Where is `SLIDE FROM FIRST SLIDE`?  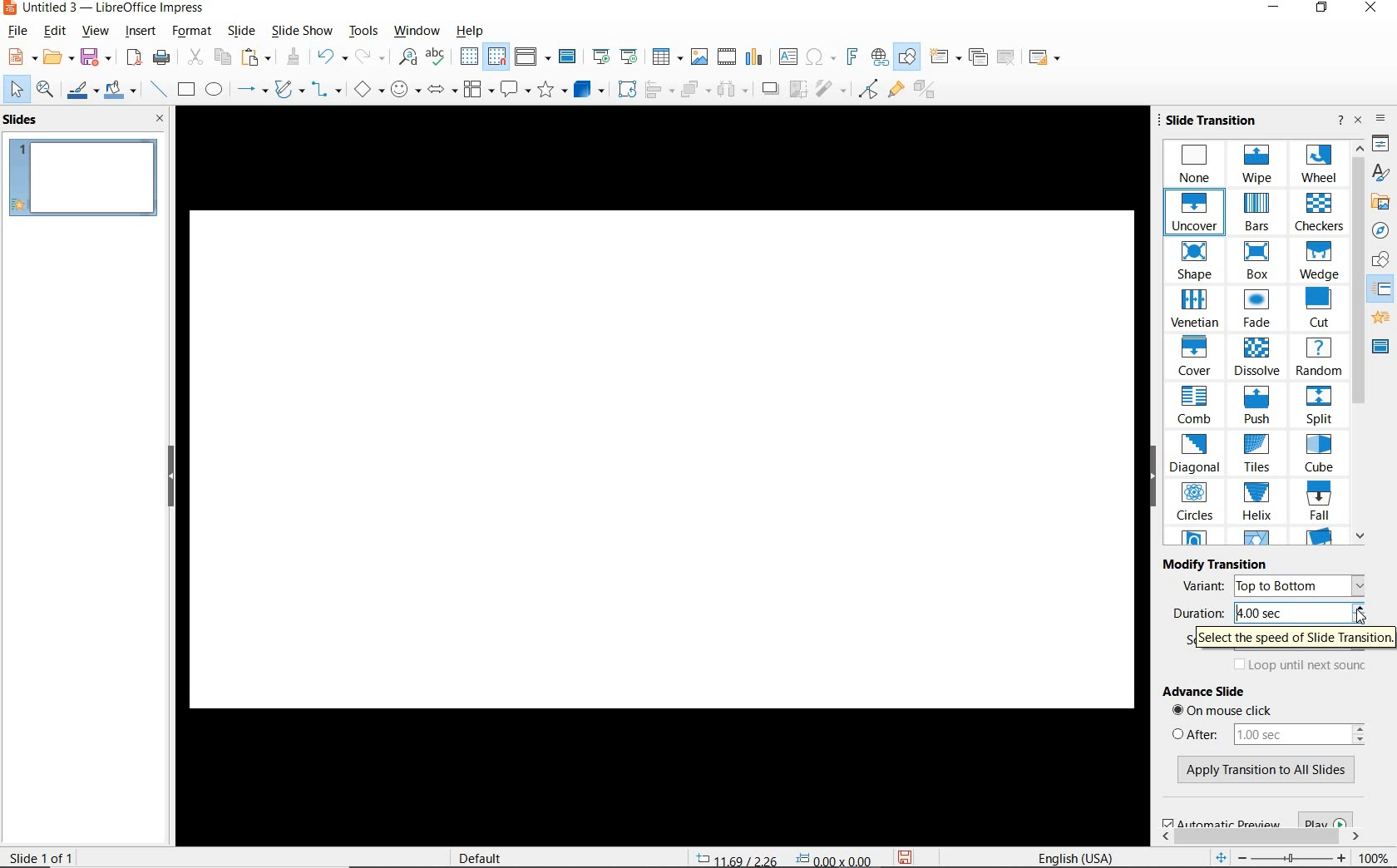 SLIDE FROM FIRST SLIDE is located at coordinates (600, 57).